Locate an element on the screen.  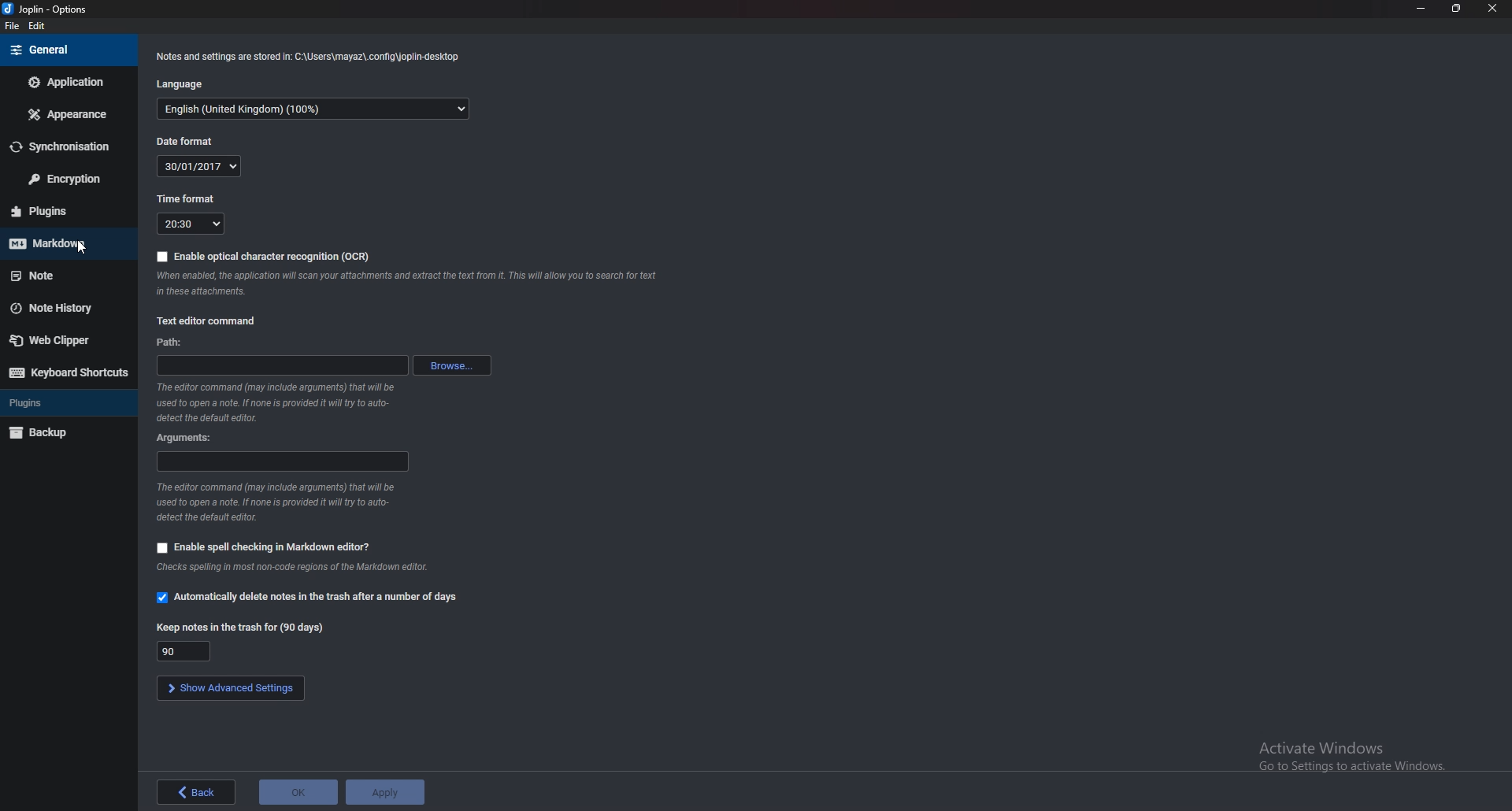
text editor command is located at coordinates (210, 321).